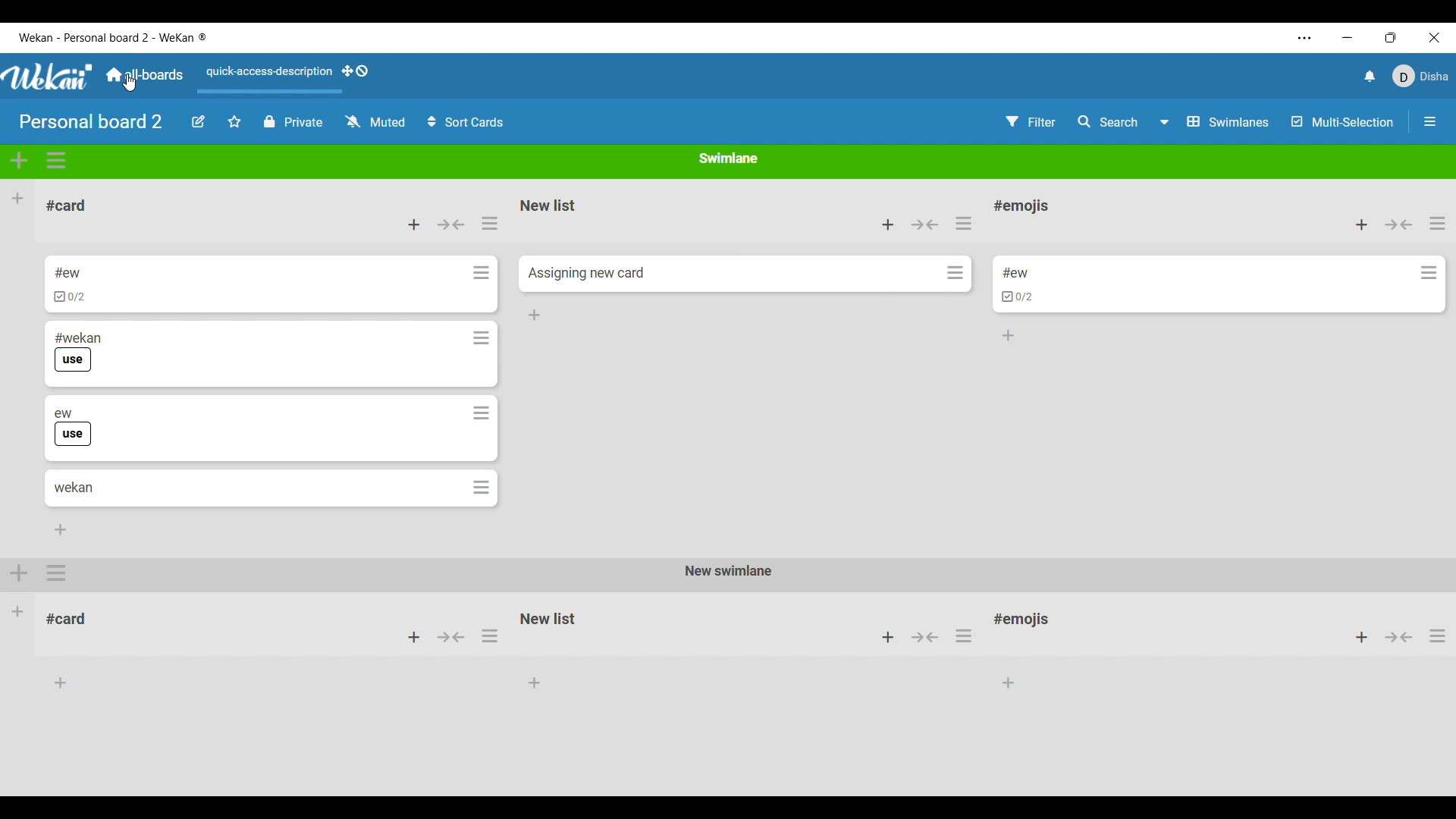 This screenshot has height=819, width=1456. Describe the element at coordinates (888, 224) in the screenshot. I see `Add card to top of list` at that location.